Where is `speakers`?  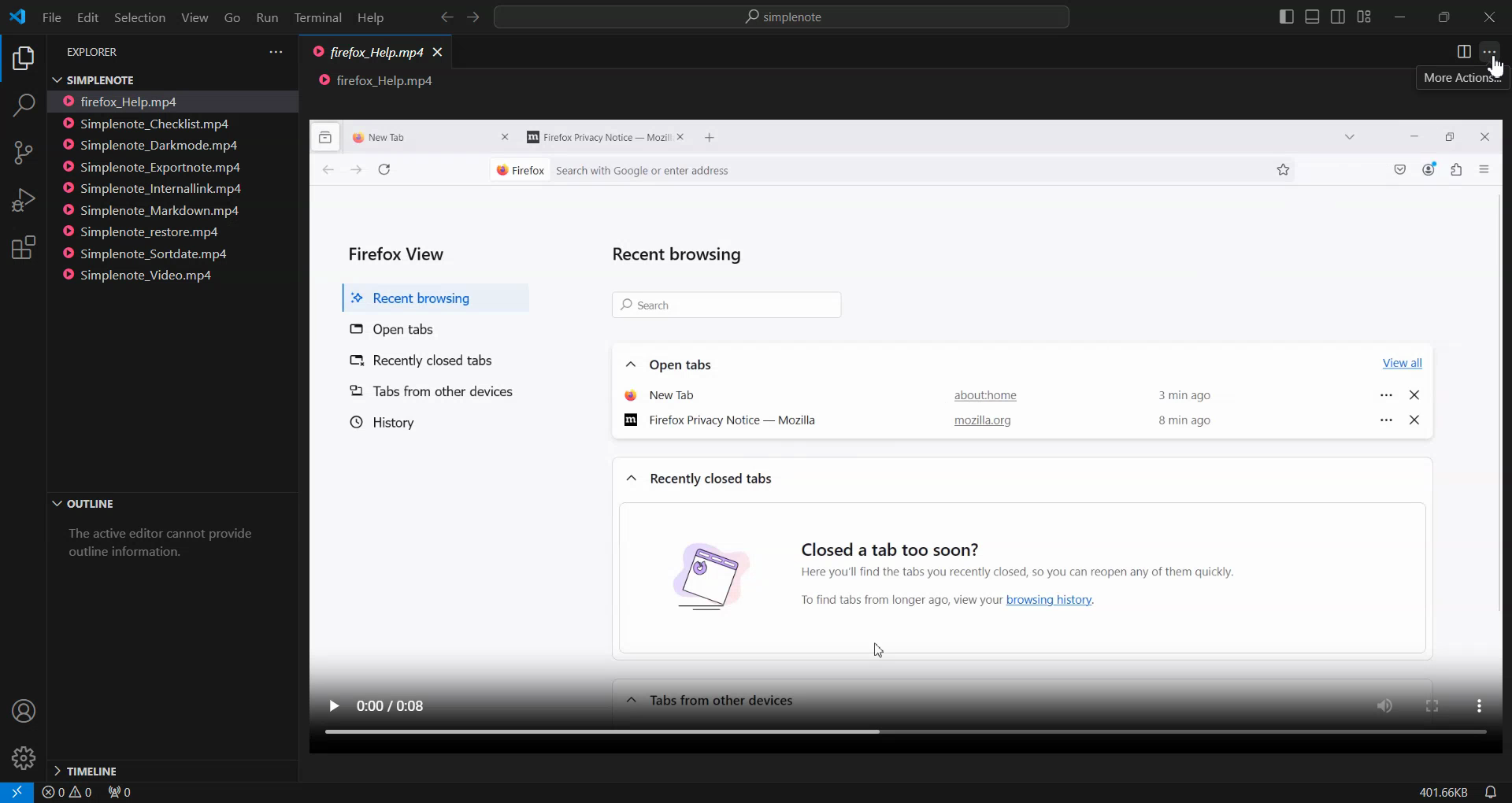
speakers is located at coordinates (1388, 705).